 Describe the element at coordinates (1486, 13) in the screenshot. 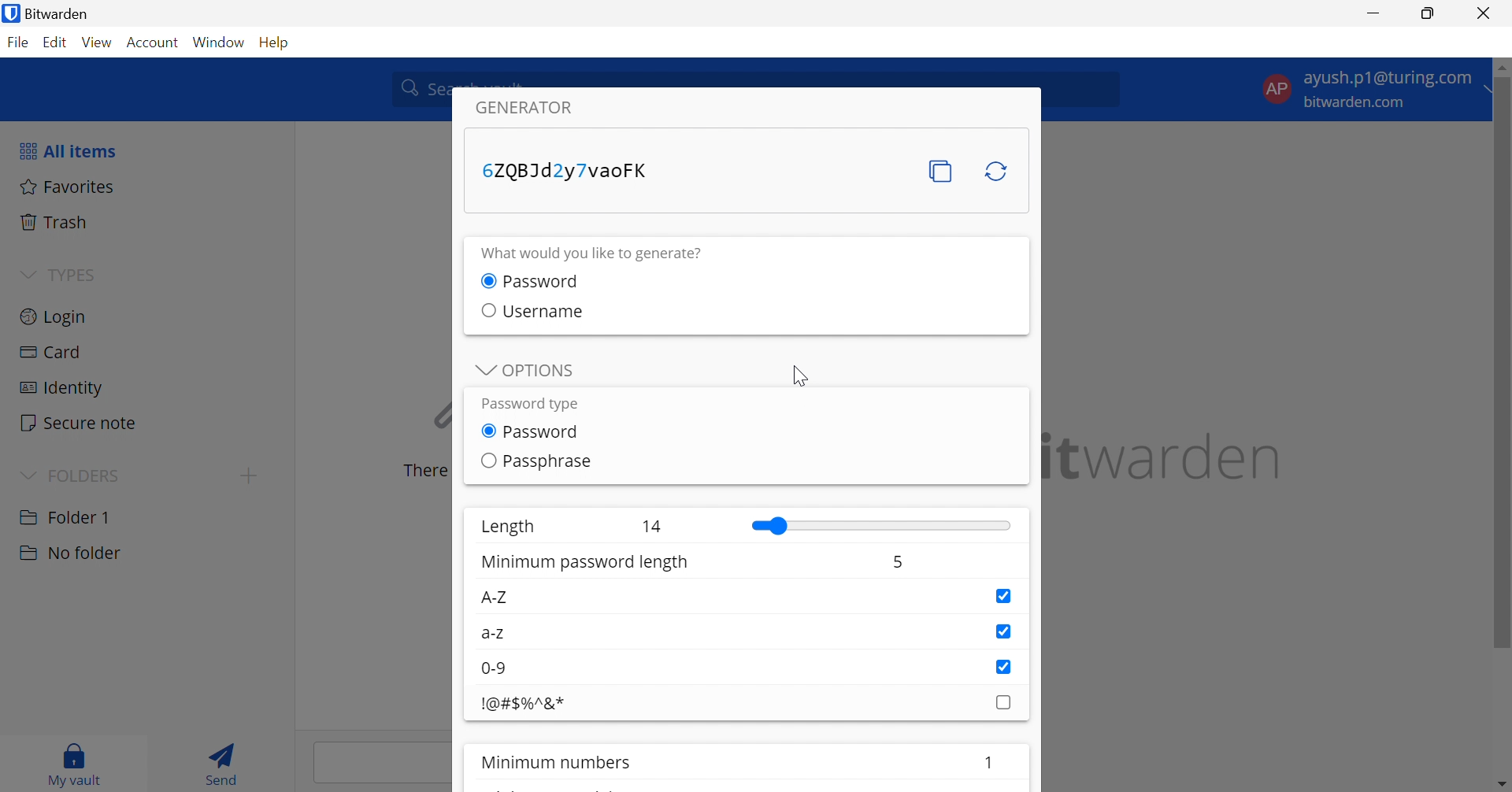

I see `Close` at that location.